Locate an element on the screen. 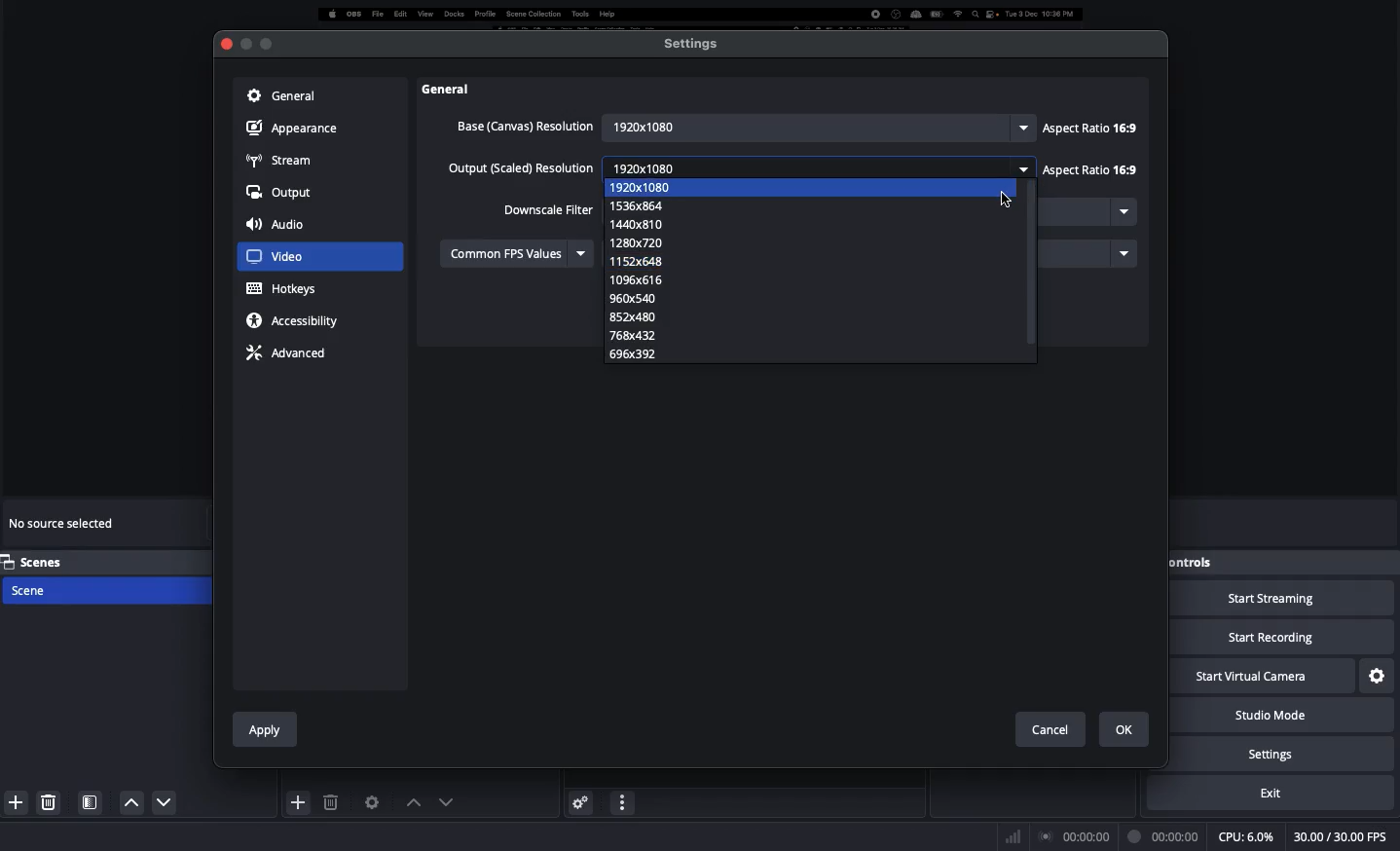 The image size is (1400, 851). + 1536x864 is located at coordinates (653, 204).